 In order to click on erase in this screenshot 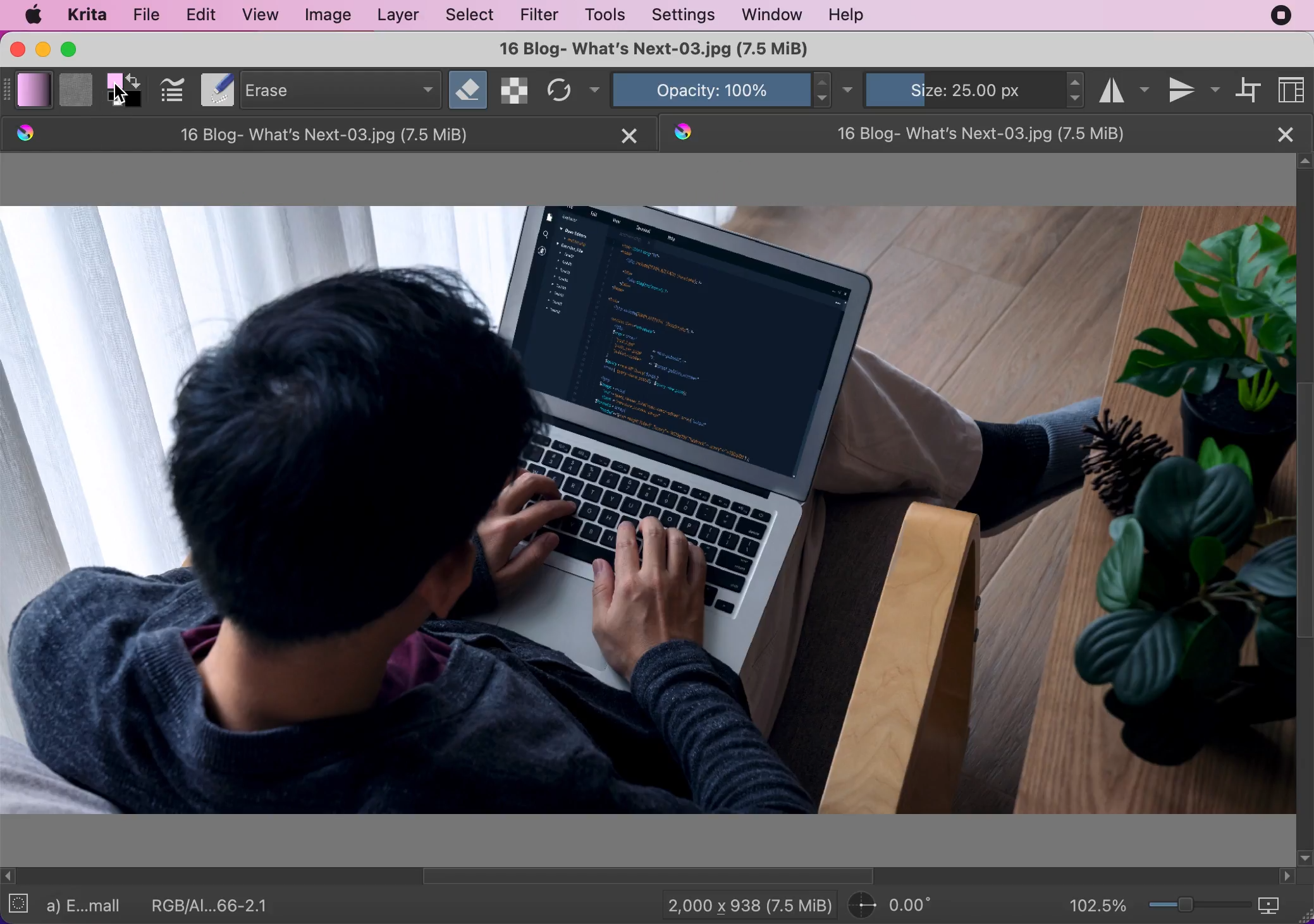, I will do `click(338, 89)`.